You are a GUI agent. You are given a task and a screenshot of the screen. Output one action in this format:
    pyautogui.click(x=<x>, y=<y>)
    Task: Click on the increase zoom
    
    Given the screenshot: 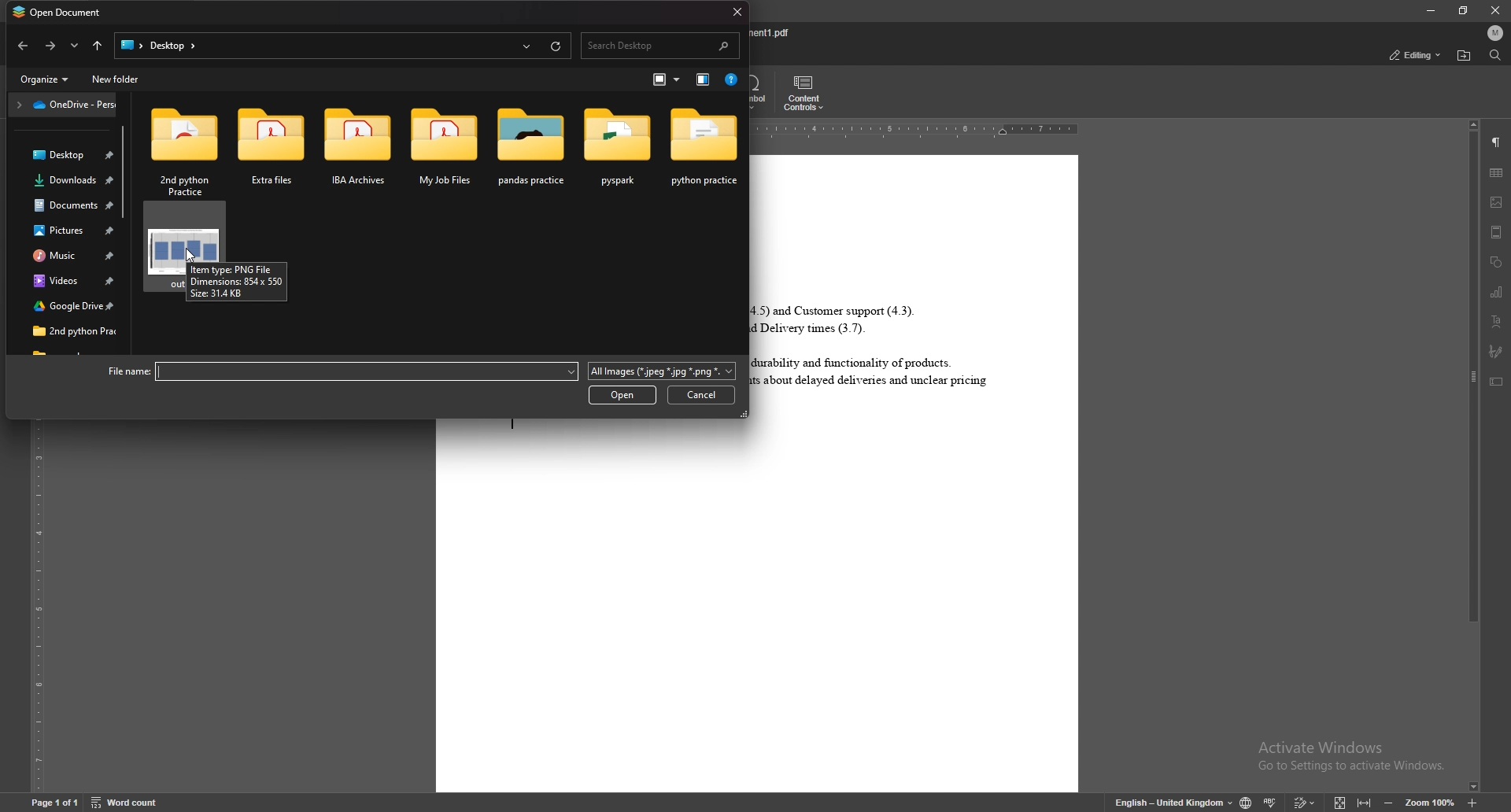 What is the action you would take?
    pyautogui.click(x=1470, y=803)
    